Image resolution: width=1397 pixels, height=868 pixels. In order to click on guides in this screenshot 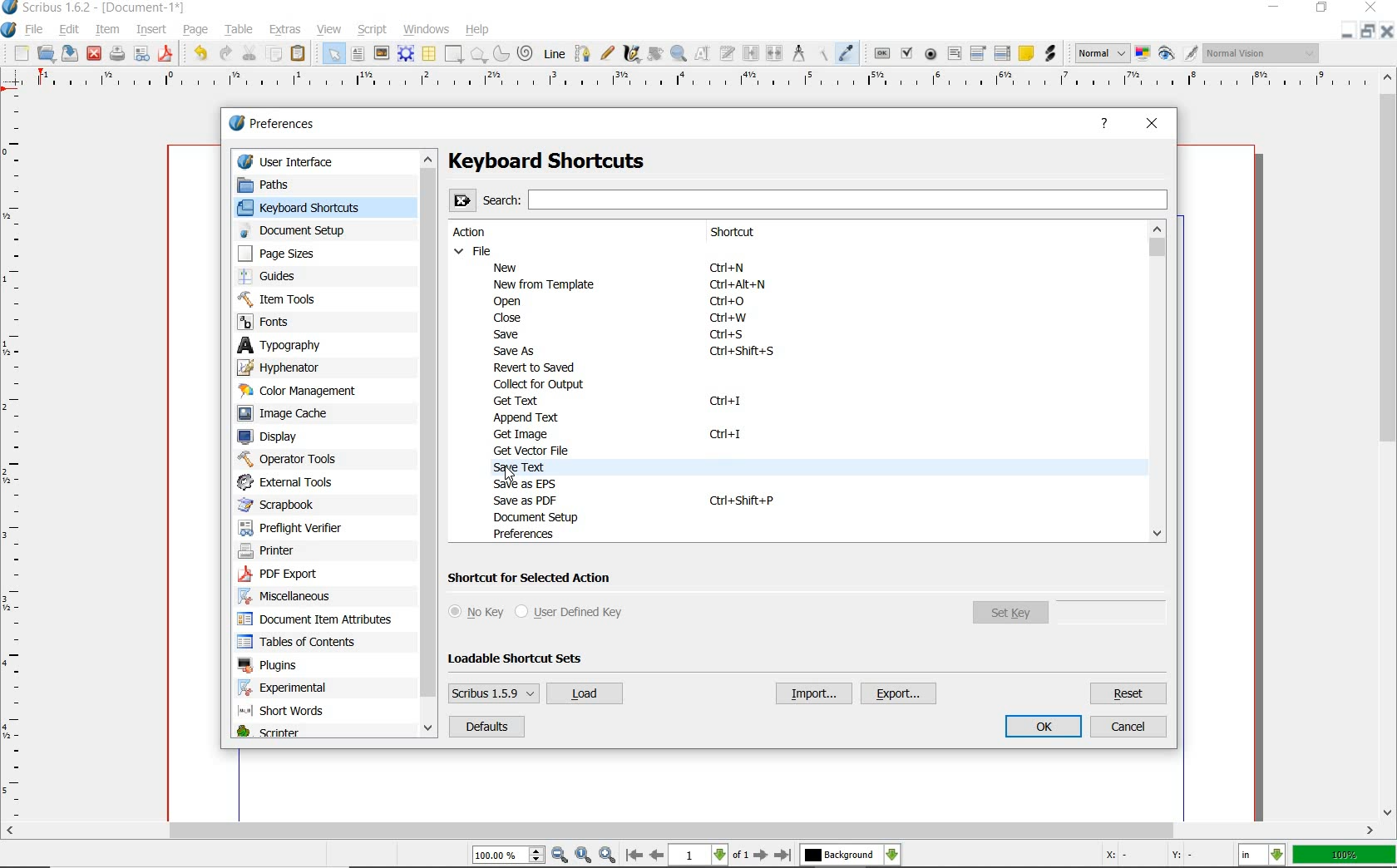, I will do `click(291, 277)`.